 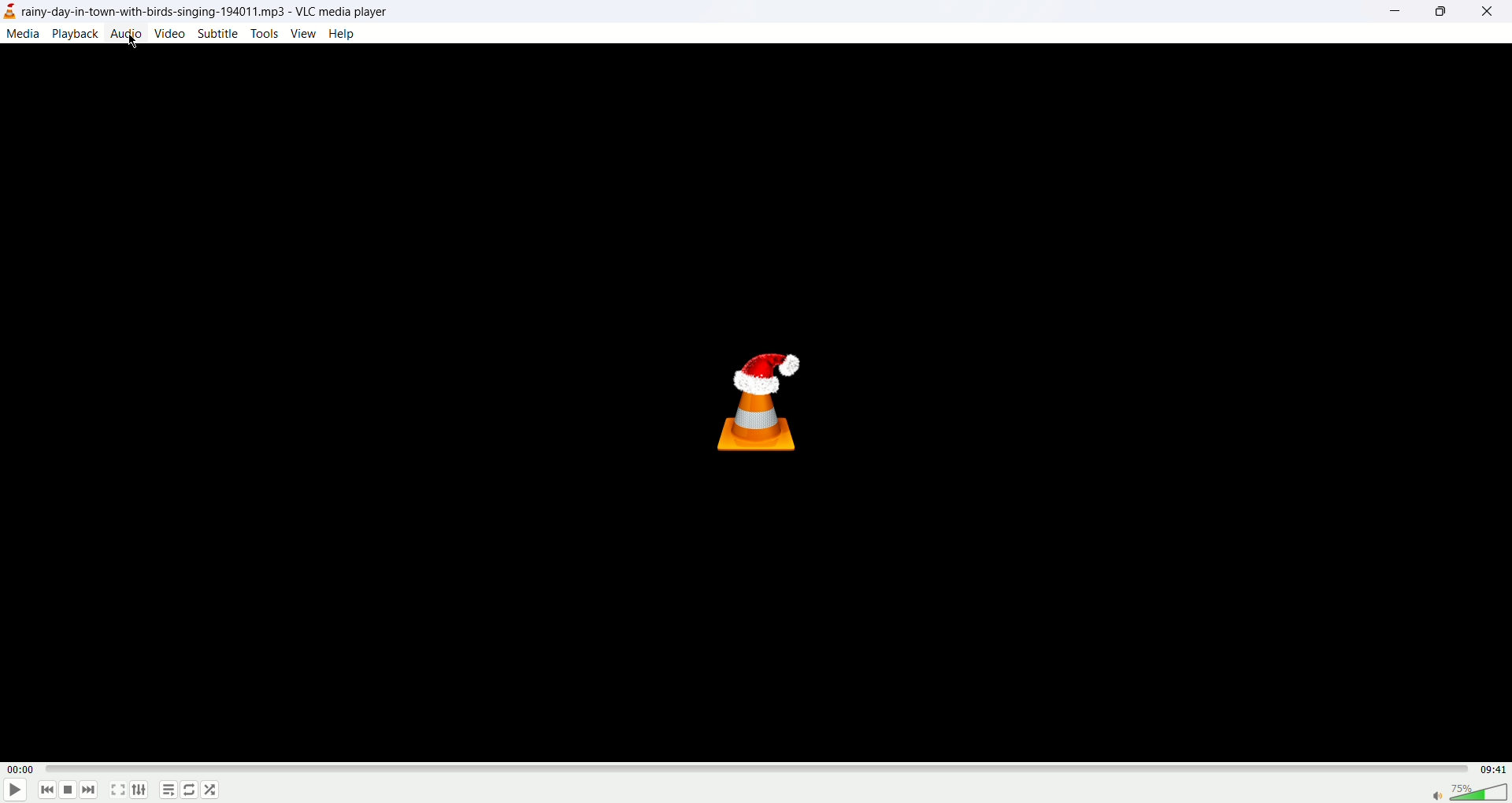 What do you see at coordinates (1492, 14) in the screenshot?
I see `close` at bounding box center [1492, 14].